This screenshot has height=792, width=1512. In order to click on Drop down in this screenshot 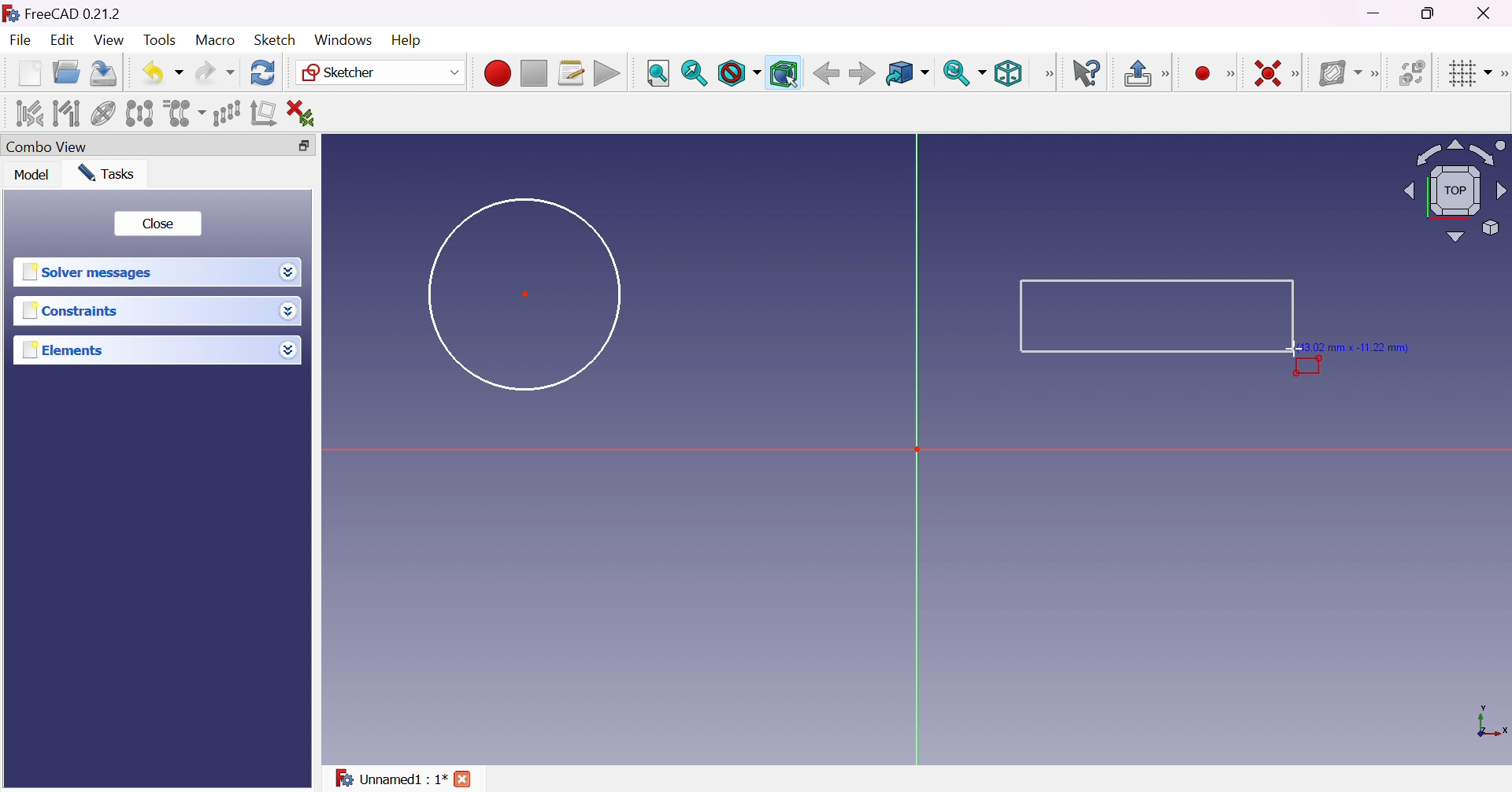, I will do `click(289, 272)`.